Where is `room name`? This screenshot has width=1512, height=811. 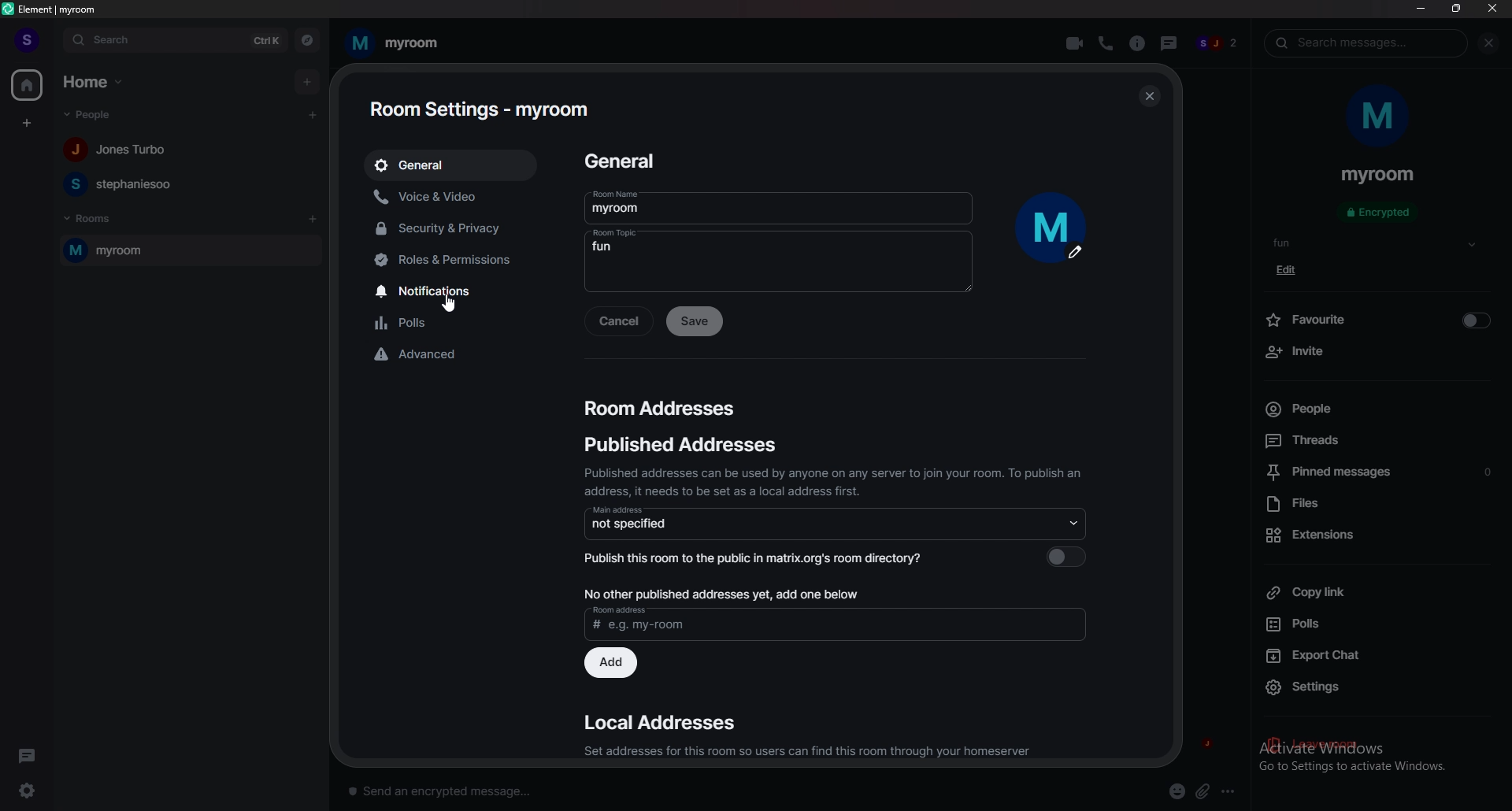
room name is located at coordinates (1378, 176).